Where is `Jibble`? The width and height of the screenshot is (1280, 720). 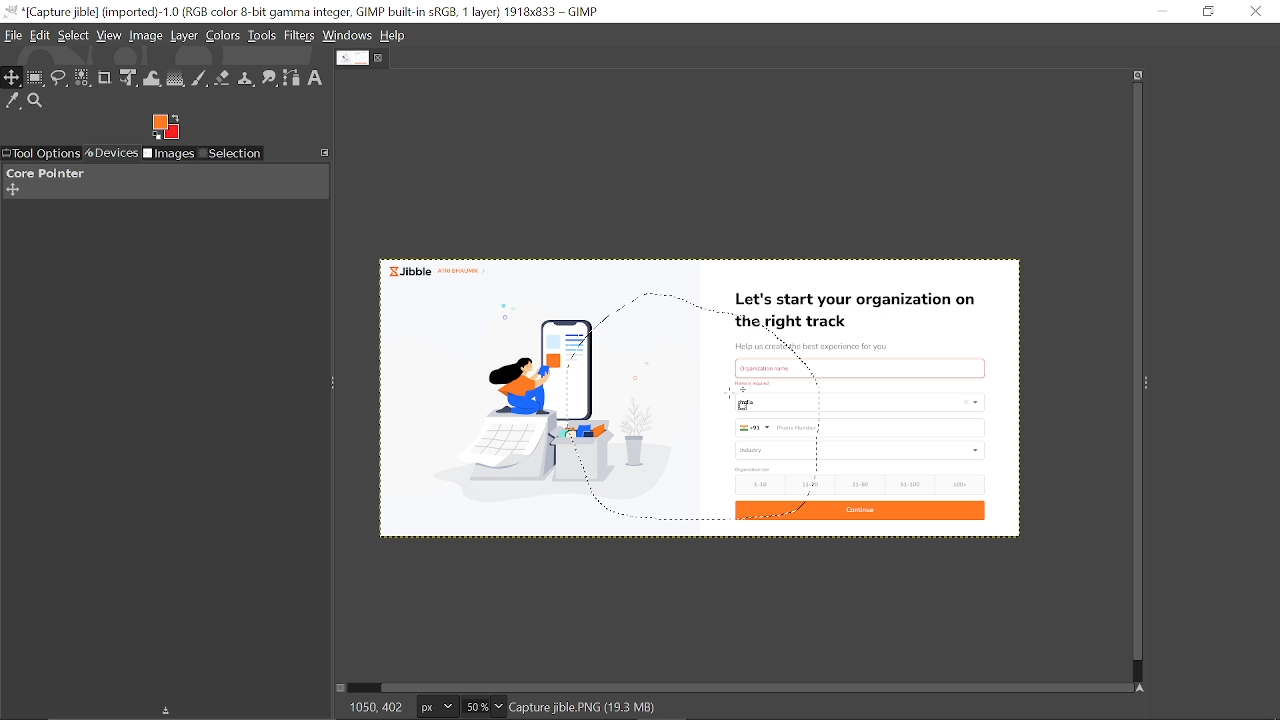 Jibble is located at coordinates (436, 269).